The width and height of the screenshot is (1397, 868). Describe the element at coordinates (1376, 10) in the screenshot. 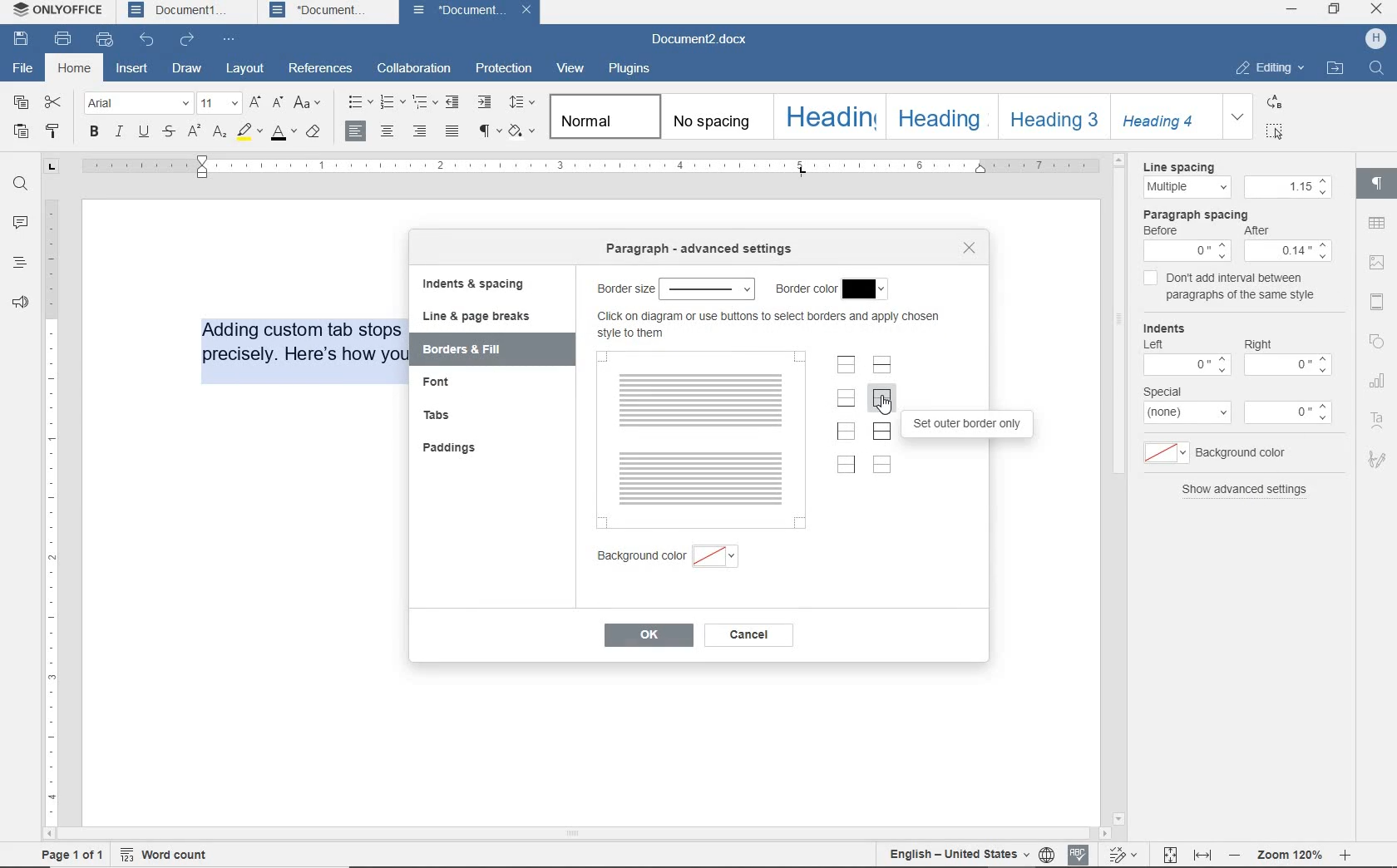

I see `close` at that location.